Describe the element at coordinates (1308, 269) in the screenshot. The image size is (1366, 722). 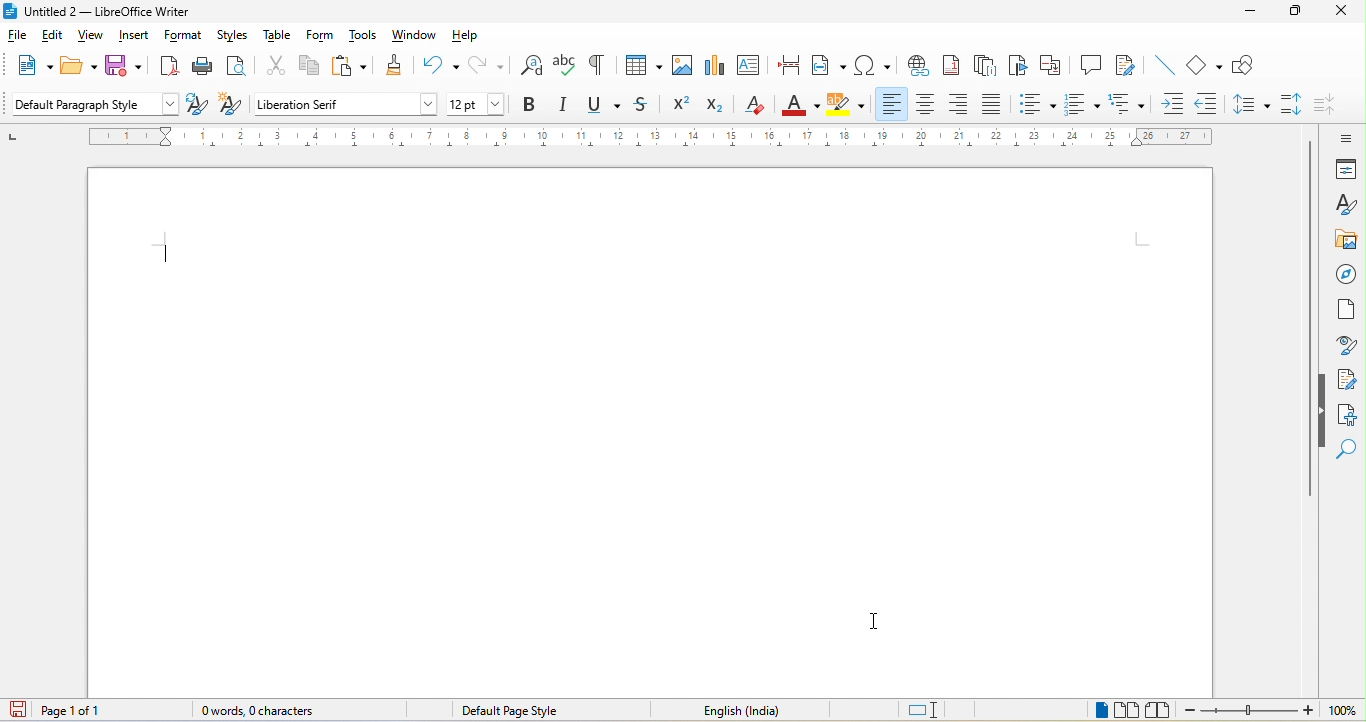
I see `vertical scroll bar` at that location.